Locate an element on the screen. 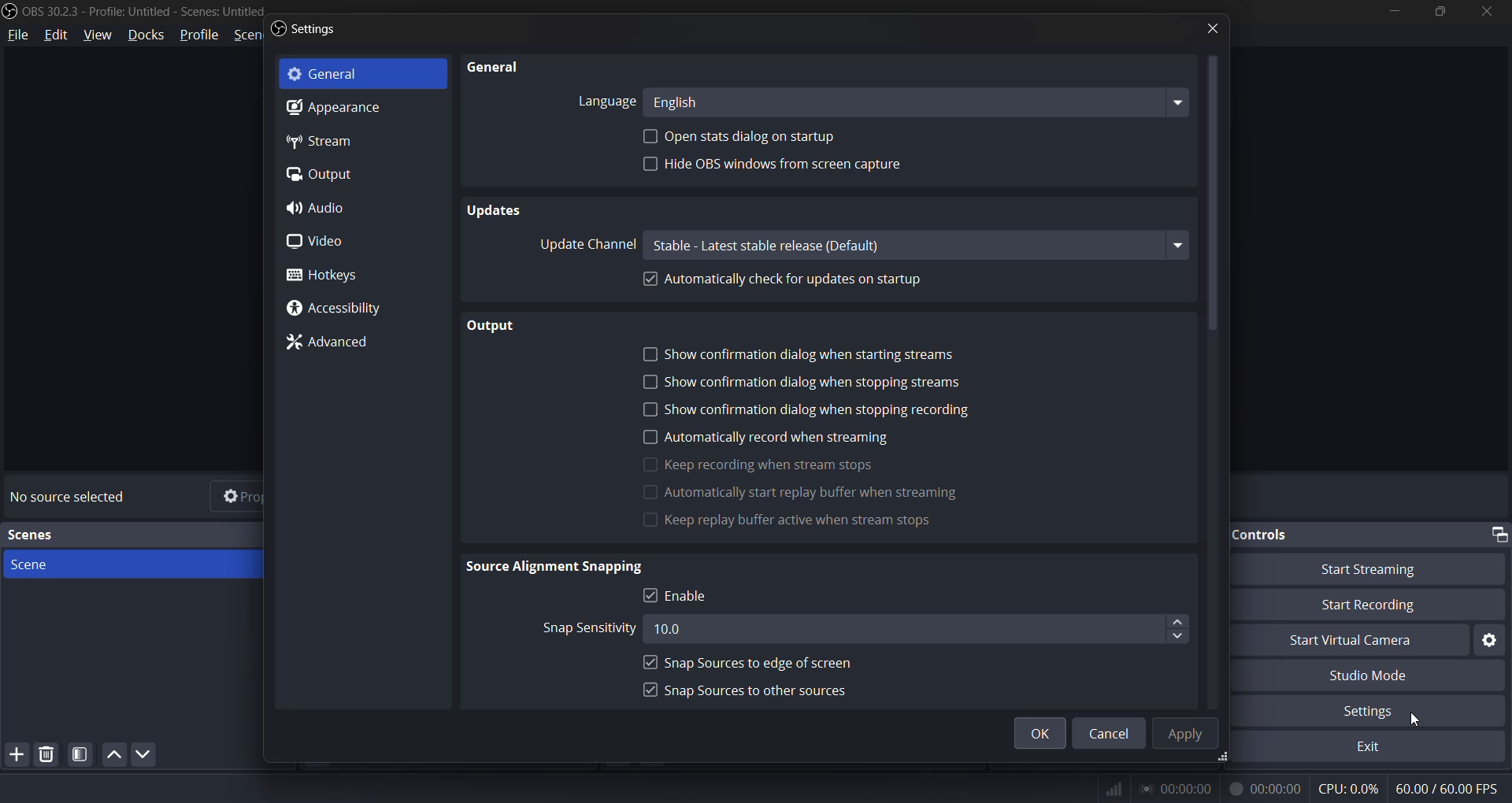 The width and height of the screenshot is (1512, 803). profile is located at coordinates (195, 35).